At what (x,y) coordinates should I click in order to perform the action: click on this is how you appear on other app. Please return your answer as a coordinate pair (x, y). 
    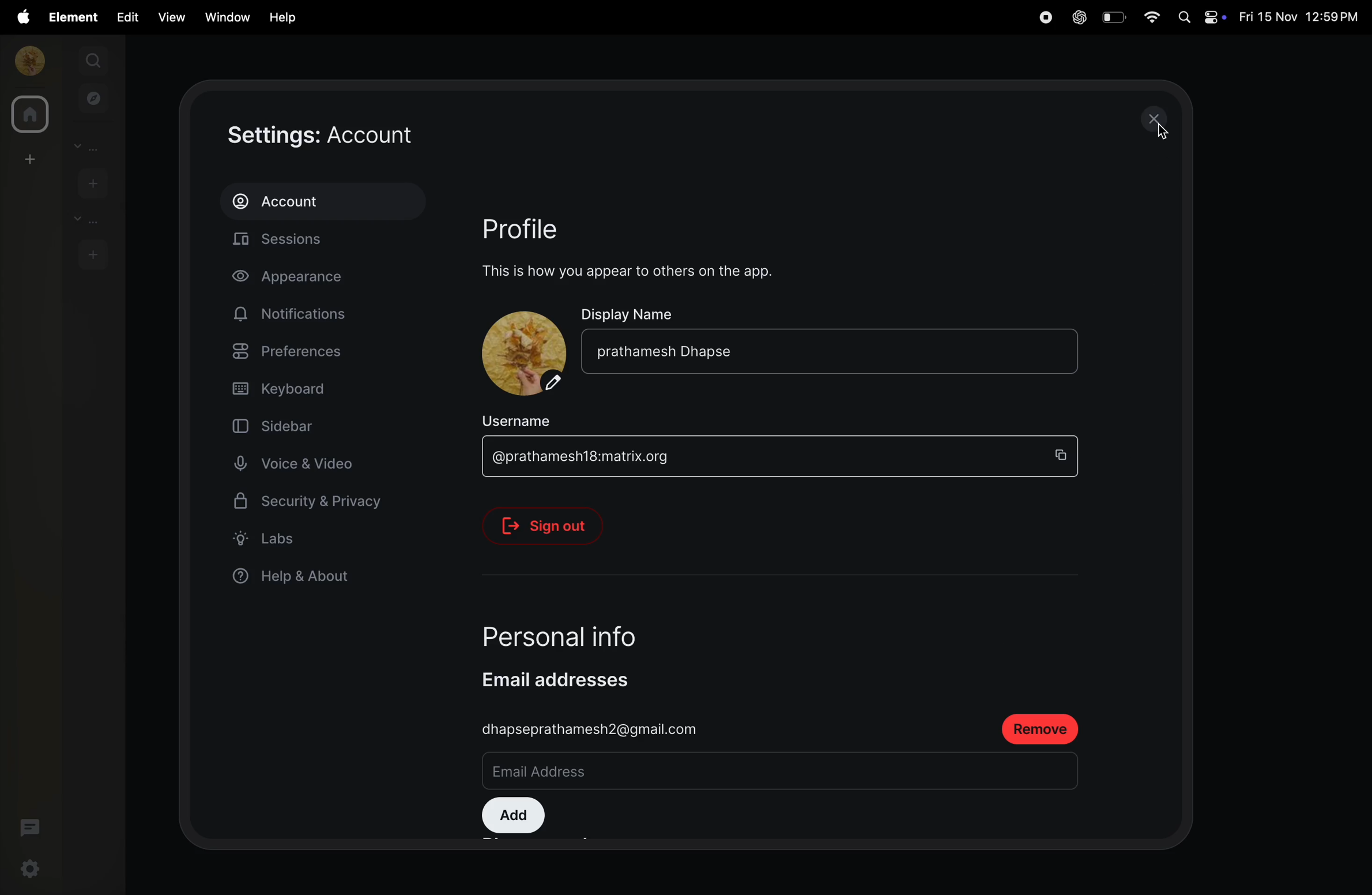
    Looking at the image, I should click on (639, 271).